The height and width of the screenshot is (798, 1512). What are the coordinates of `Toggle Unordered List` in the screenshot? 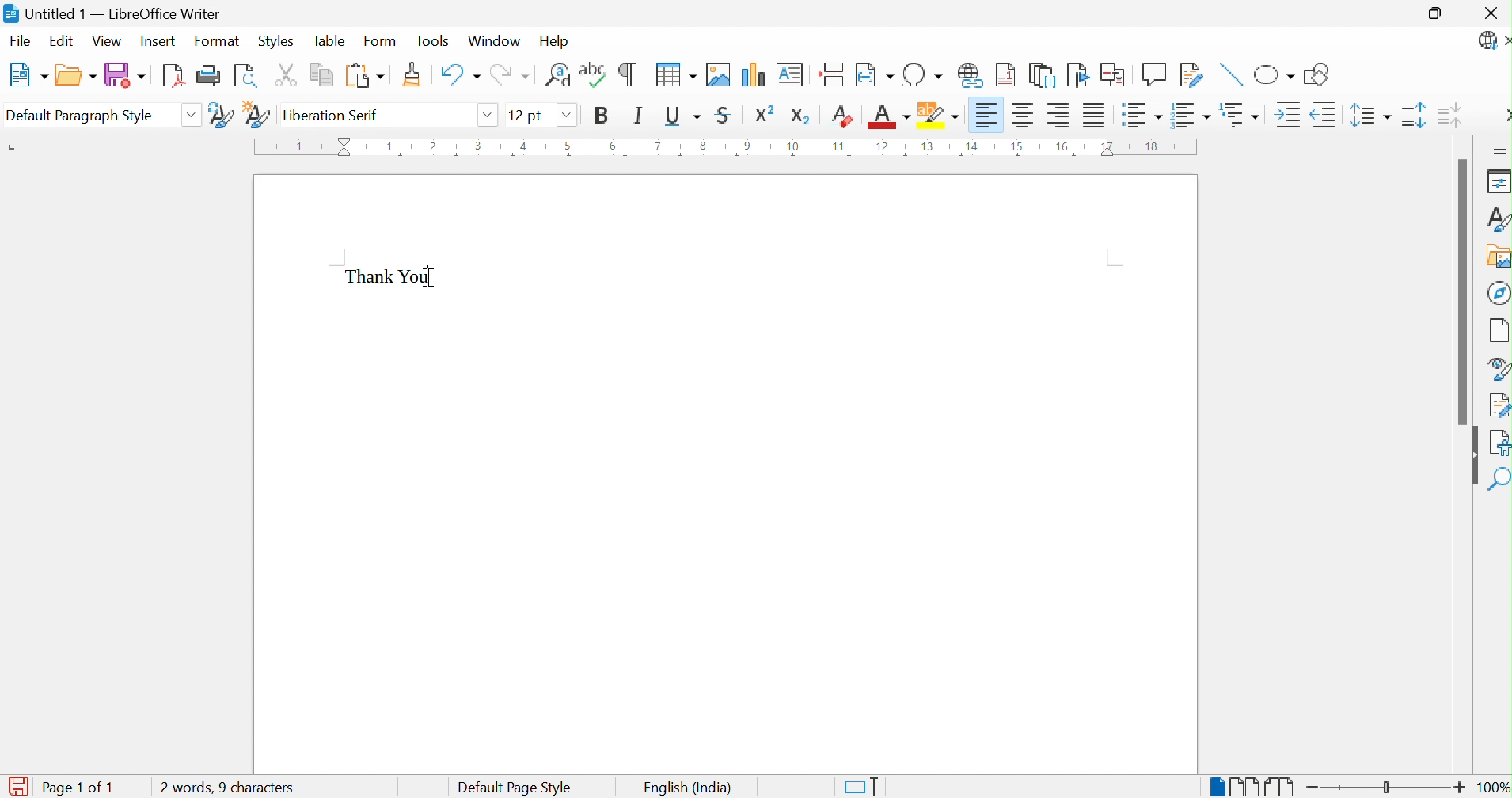 It's located at (1142, 114).